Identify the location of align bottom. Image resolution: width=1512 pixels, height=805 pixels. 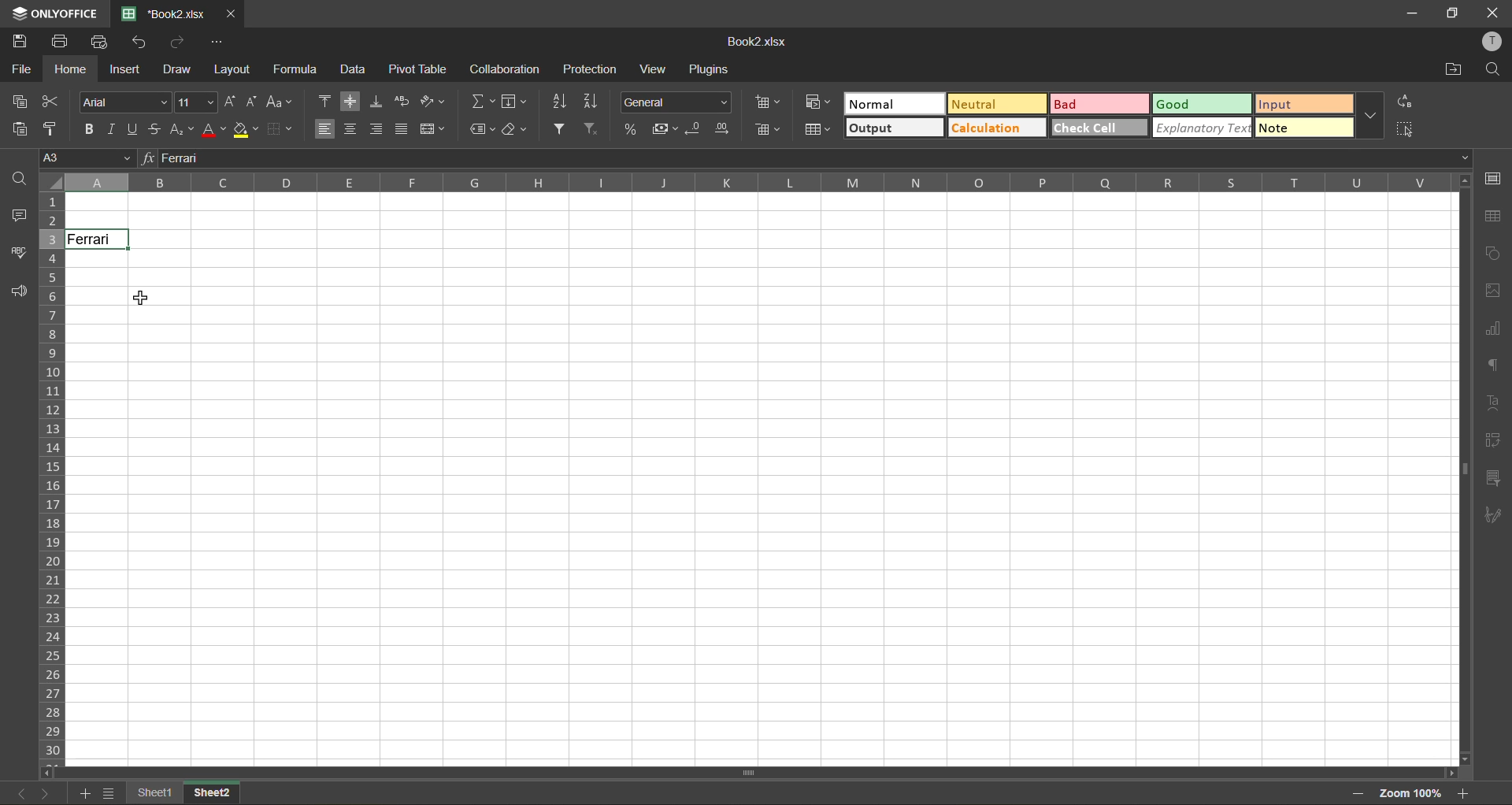
(377, 102).